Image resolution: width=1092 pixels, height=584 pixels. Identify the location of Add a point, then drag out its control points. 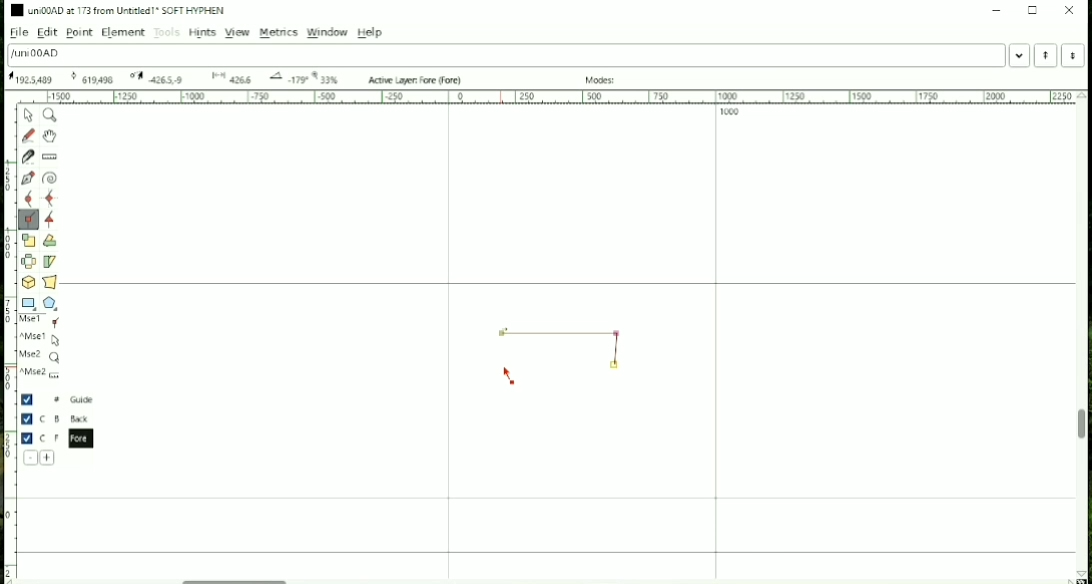
(29, 178).